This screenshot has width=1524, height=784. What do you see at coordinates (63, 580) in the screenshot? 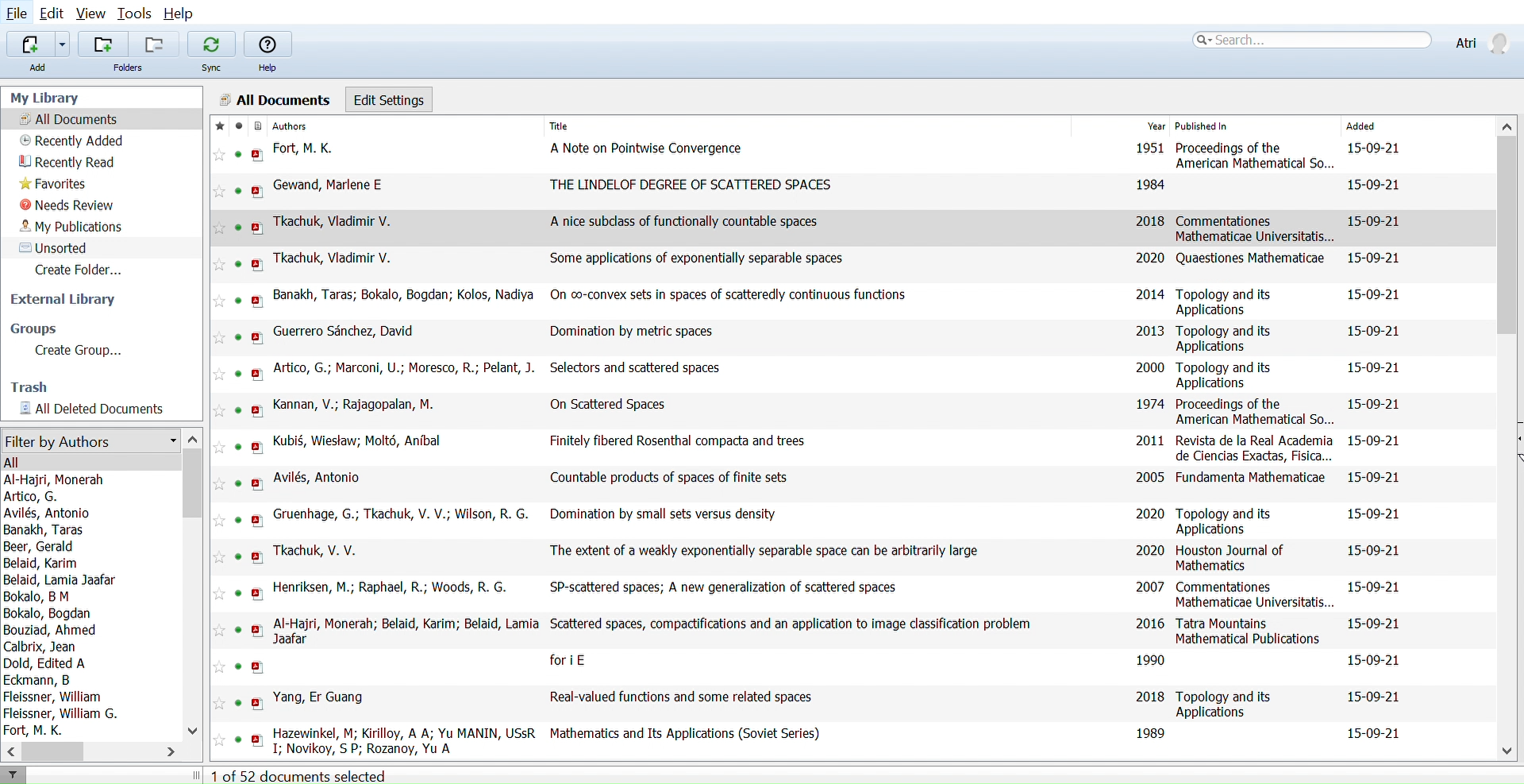
I see `Belaid, Lamia Jaafar` at bounding box center [63, 580].